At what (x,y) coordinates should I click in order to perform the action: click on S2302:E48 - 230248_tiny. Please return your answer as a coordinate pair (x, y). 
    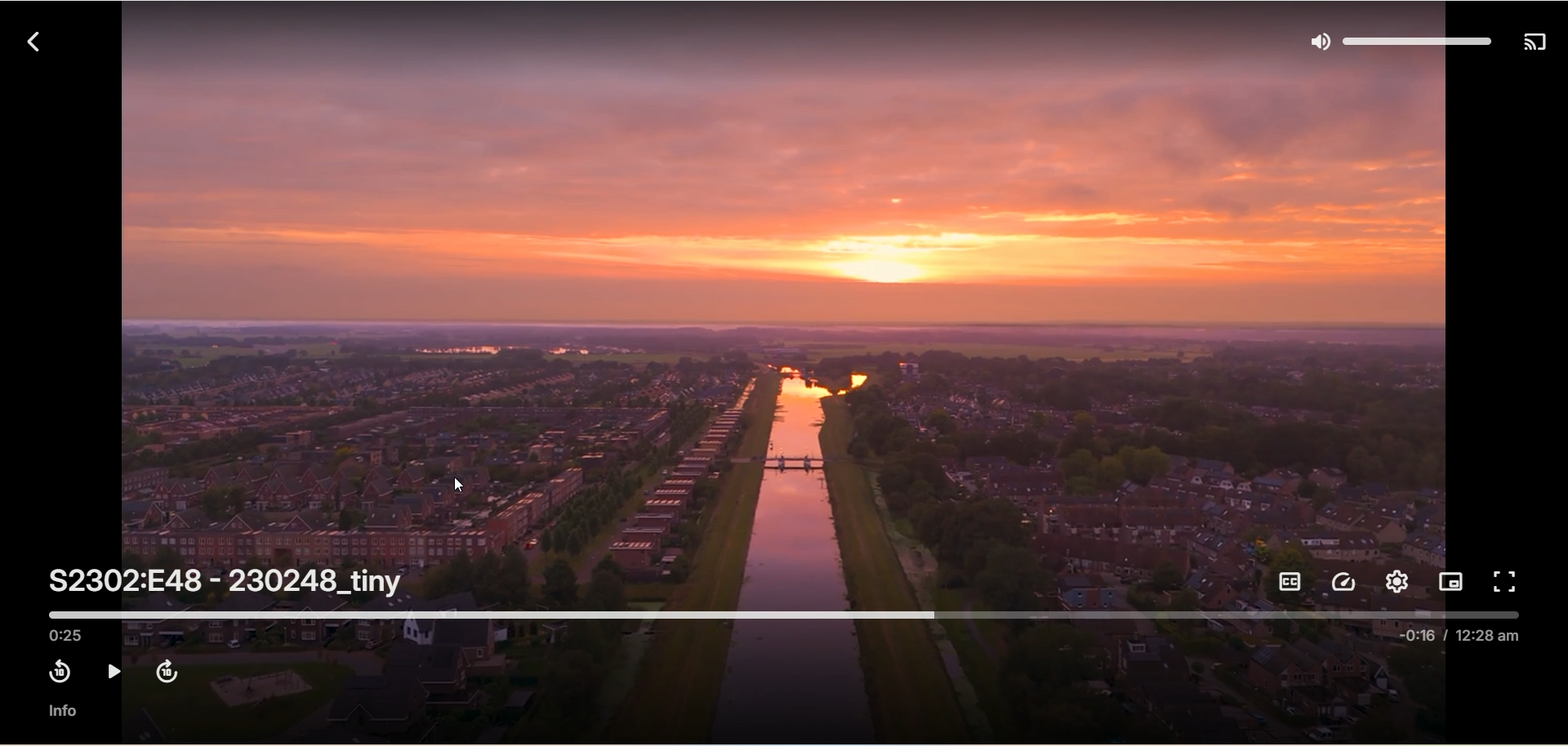
    Looking at the image, I should click on (228, 581).